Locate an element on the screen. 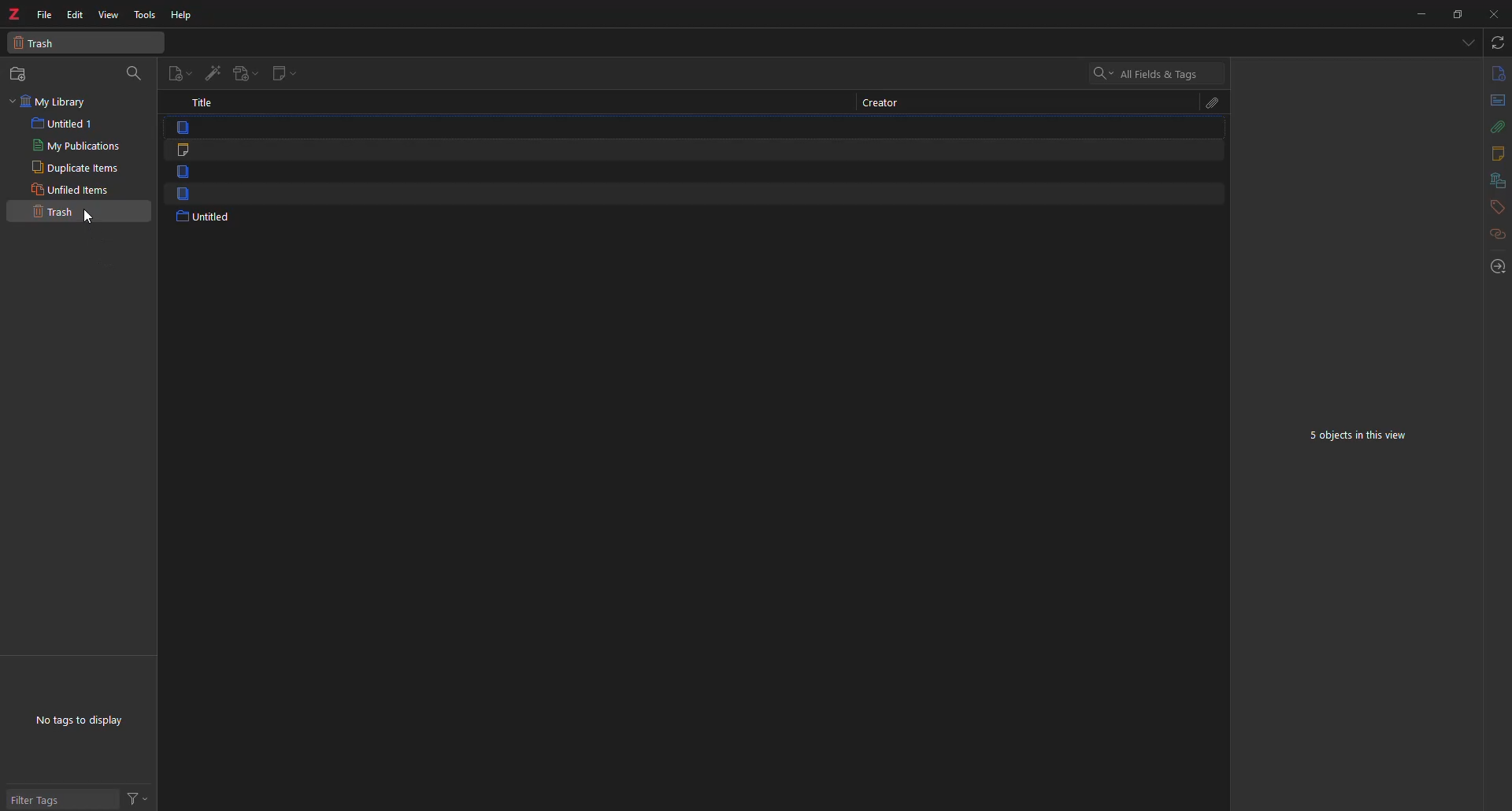 This screenshot has width=1512, height=811. new collection is located at coordinates (24, 74).